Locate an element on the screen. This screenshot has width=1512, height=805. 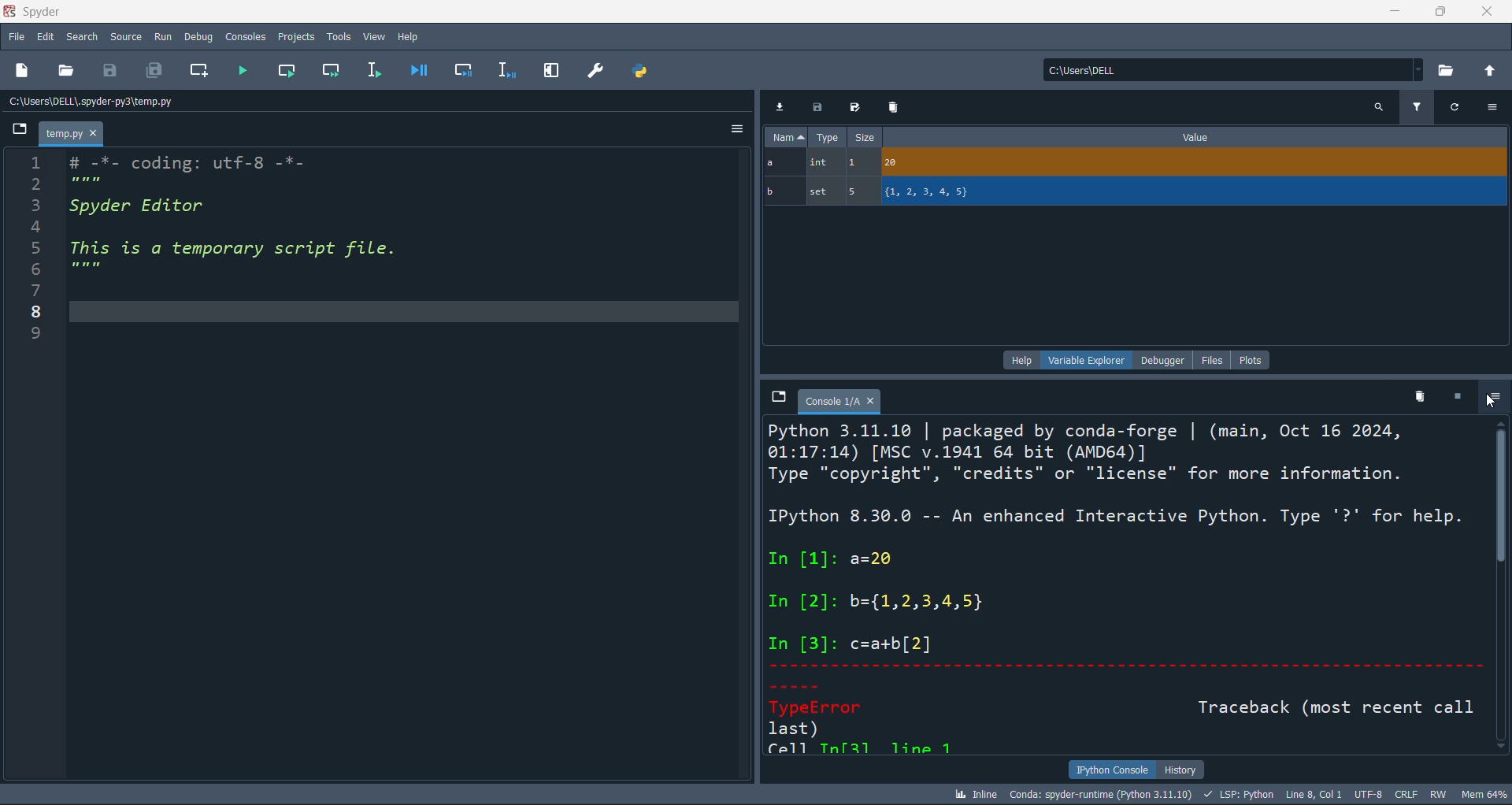
create cell is located at coordinates (197, 72).